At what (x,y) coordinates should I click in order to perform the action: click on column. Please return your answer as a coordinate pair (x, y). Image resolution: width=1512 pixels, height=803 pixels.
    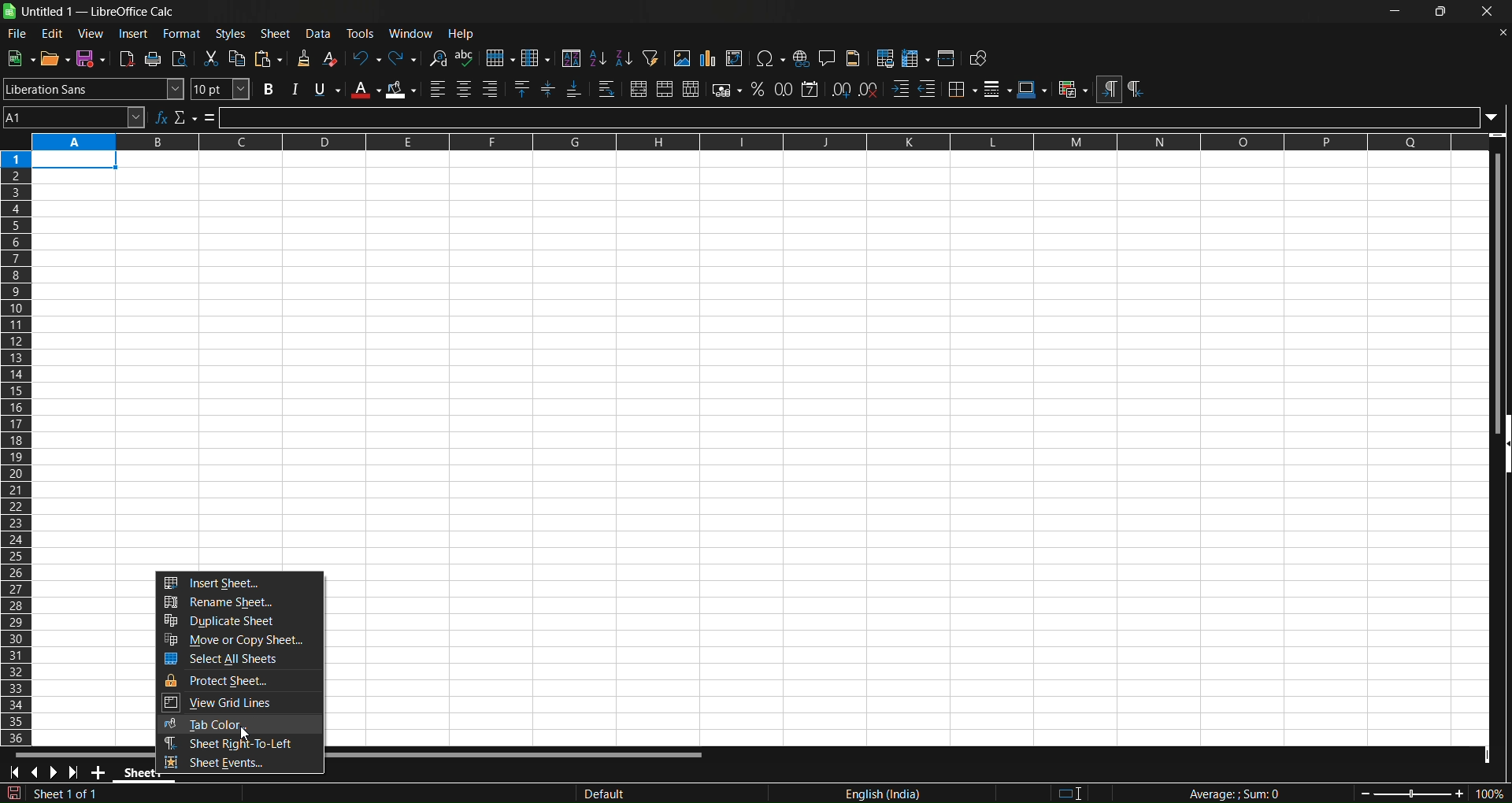
    Looking at the image, I should click on (537, 57).